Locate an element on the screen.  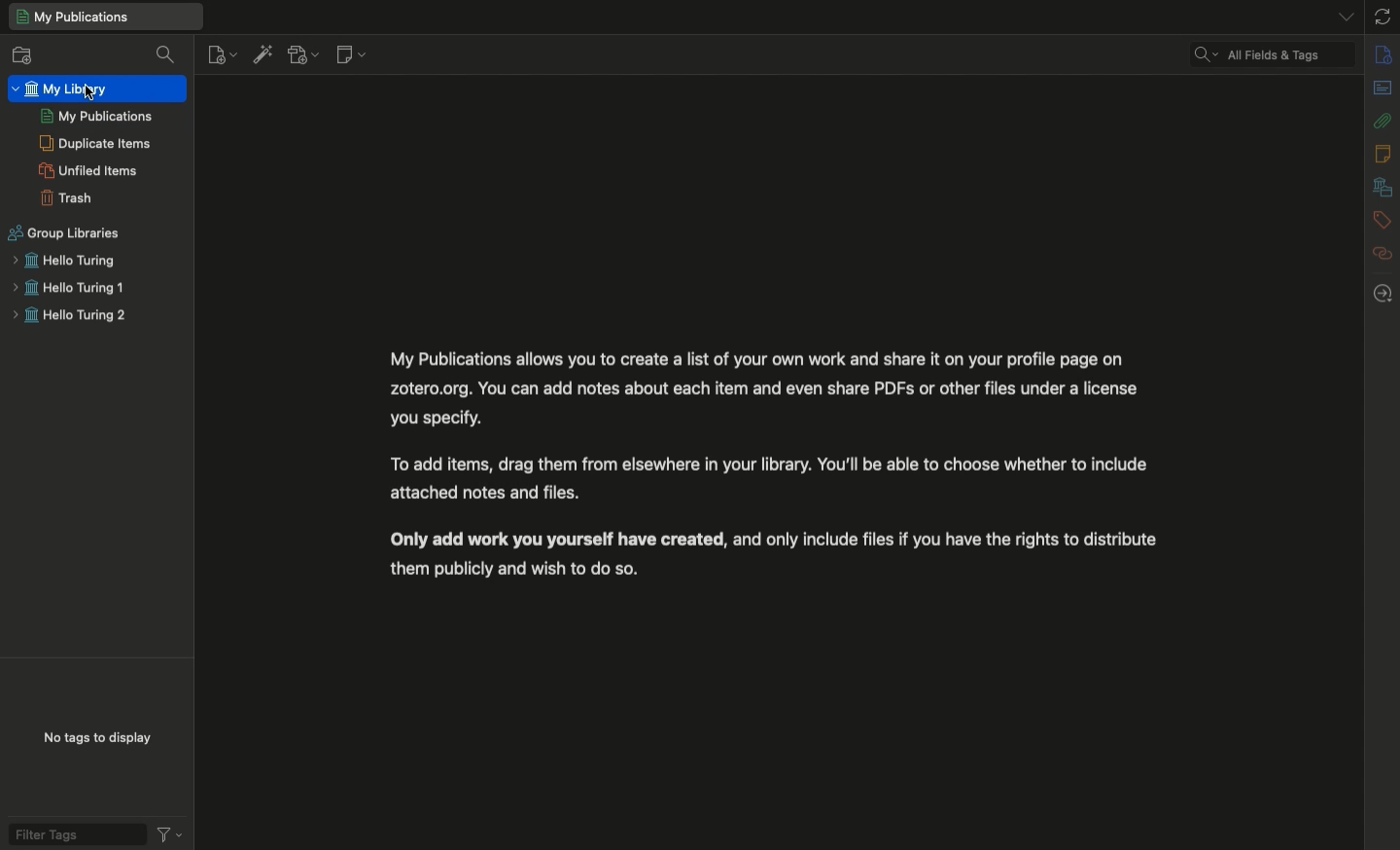
Tags is located at coordinates (1382, 221).